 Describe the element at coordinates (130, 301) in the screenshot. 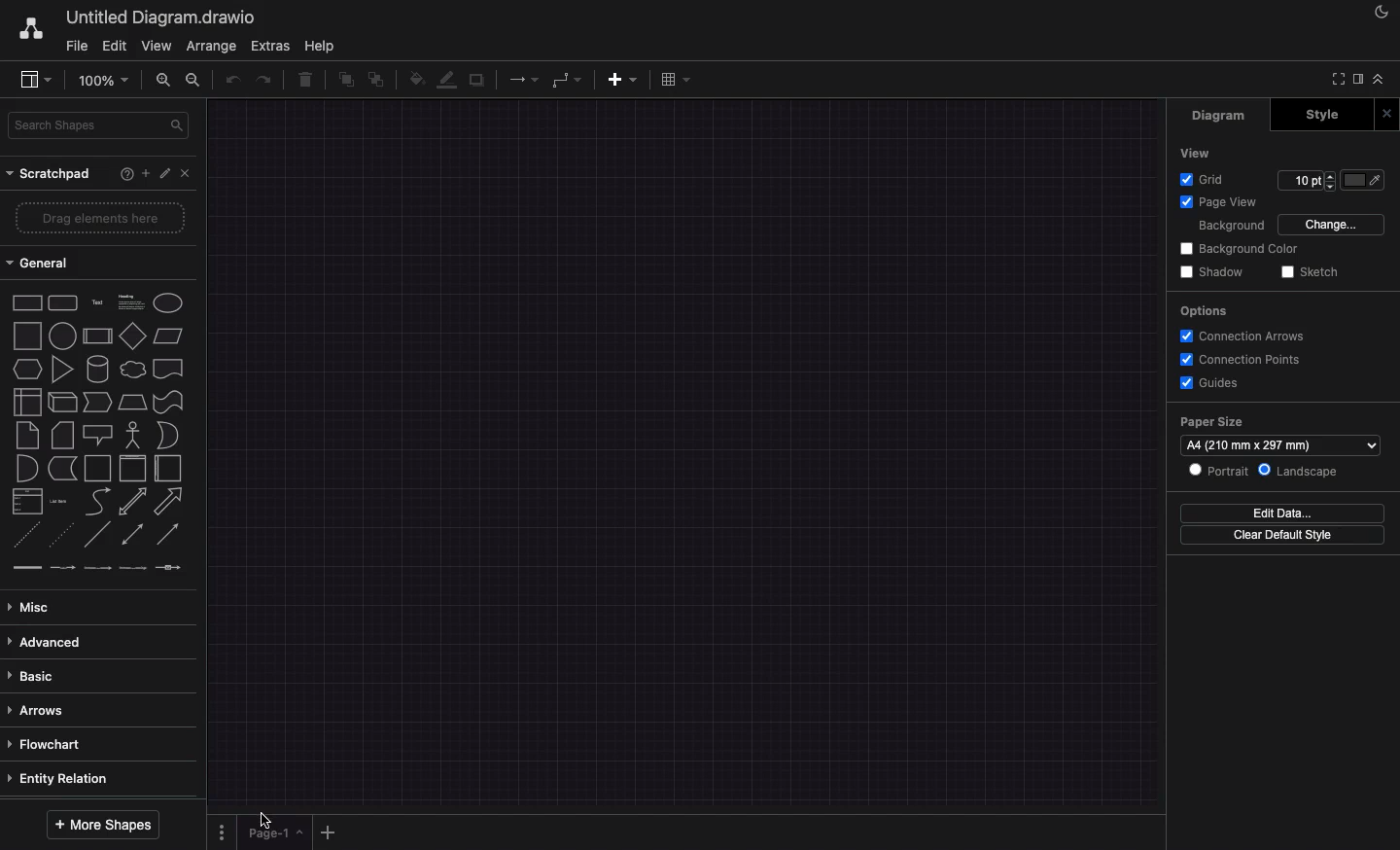

I see `text` at that location.